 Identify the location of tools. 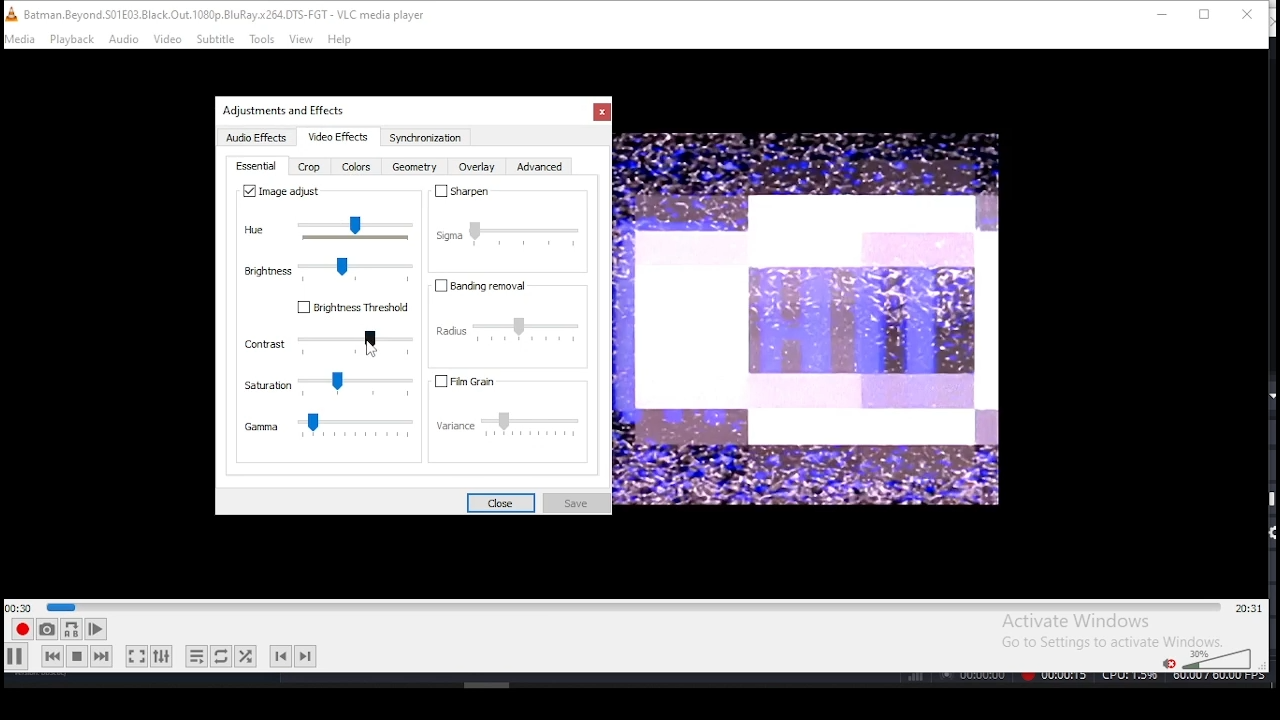
(262, 39).